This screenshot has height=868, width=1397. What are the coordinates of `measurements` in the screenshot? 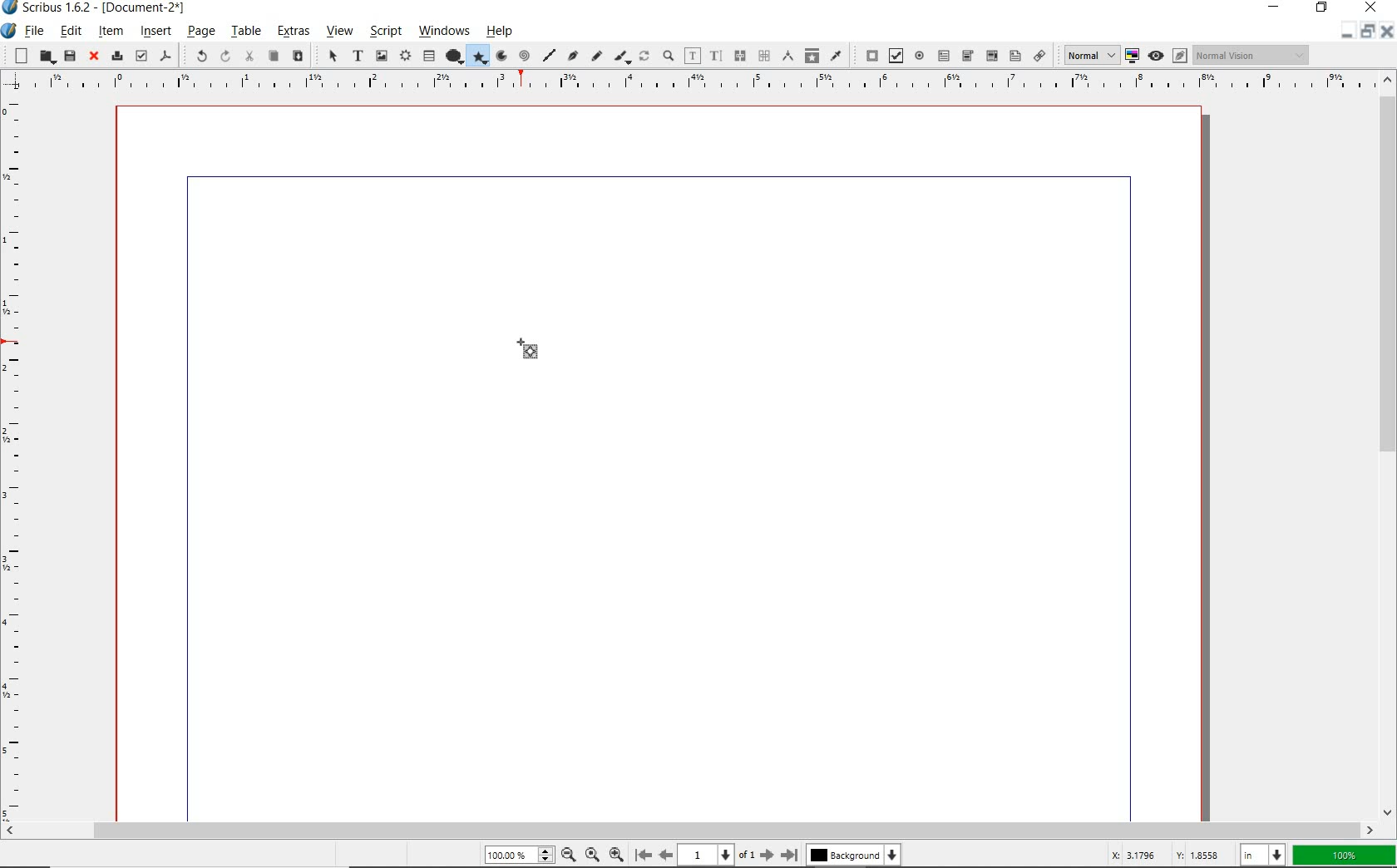 It's located at (789, 56).